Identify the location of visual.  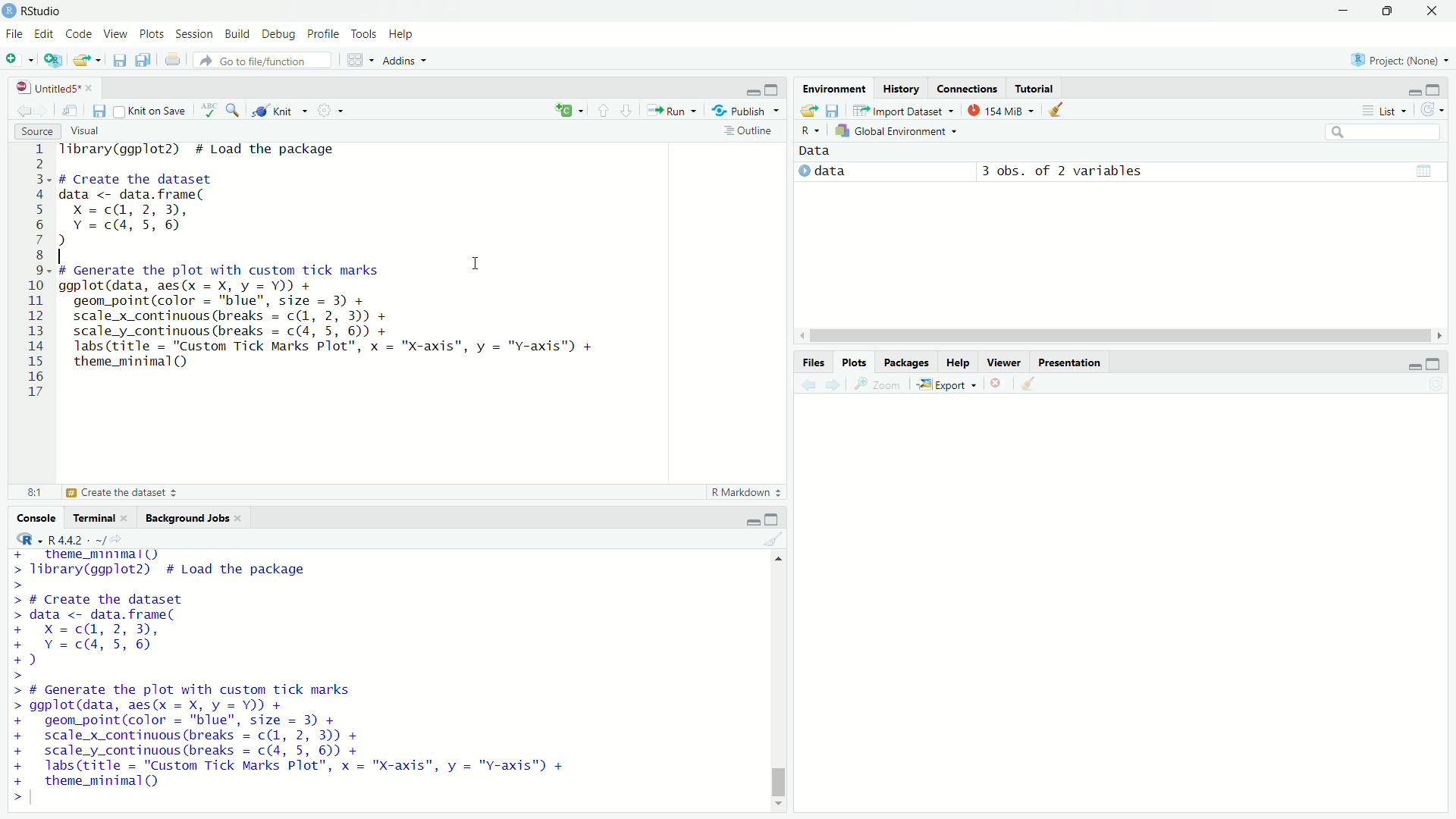
(88, 131).